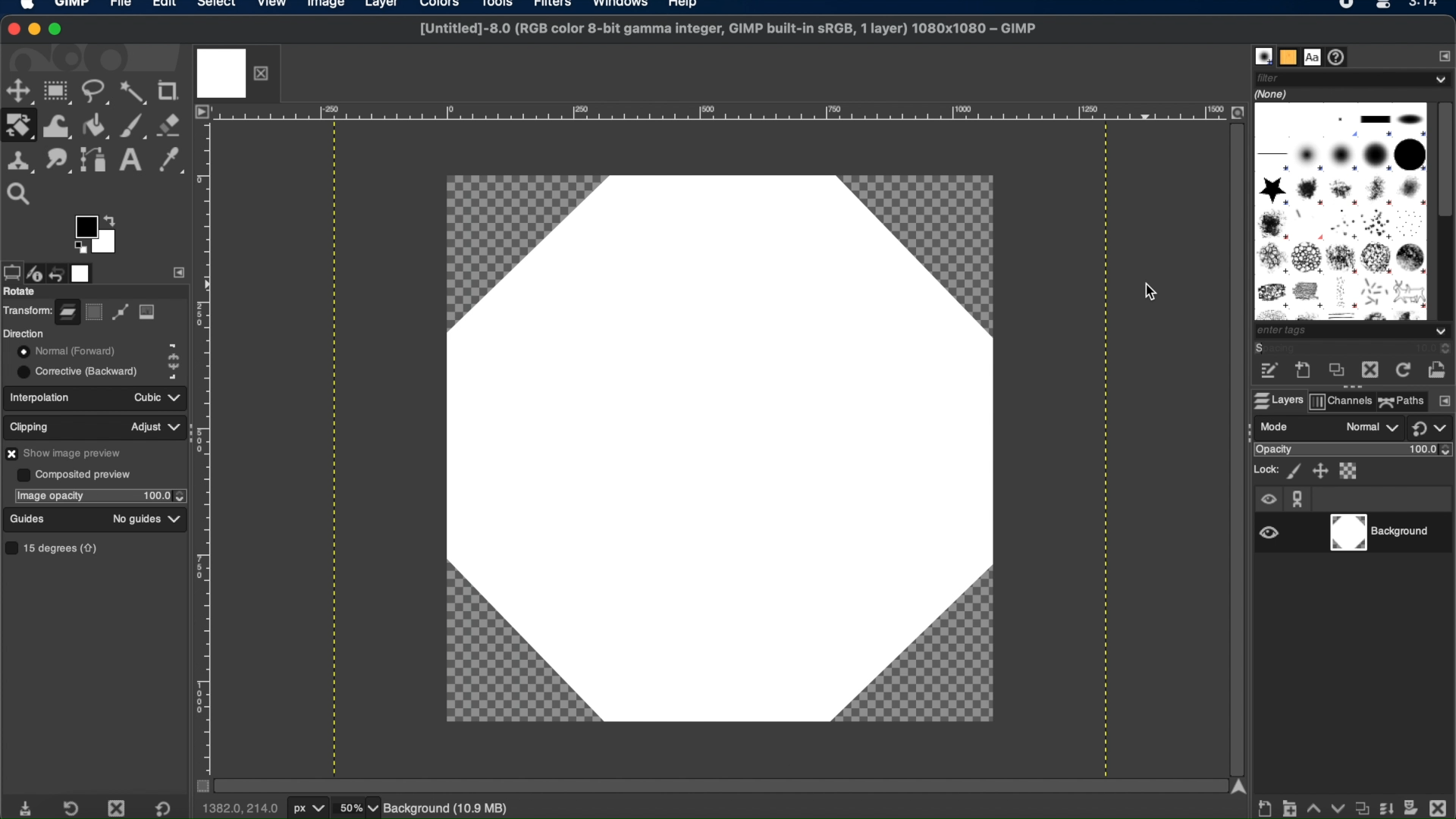 The image size is (1456, 819). I want to click on lower this layer, so click(1337, 808).